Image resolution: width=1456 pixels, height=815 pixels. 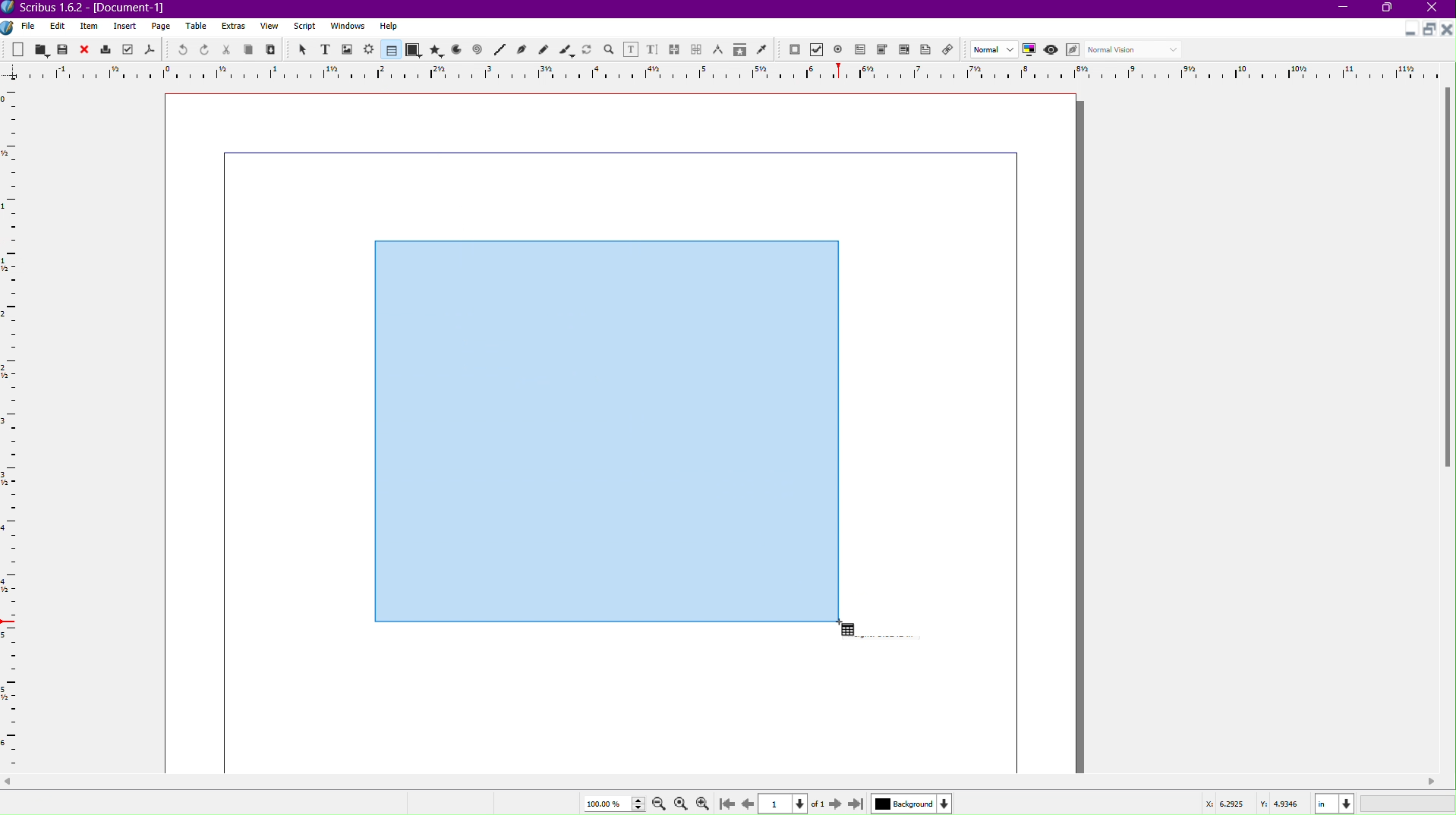 What do you see at coordinates (1032, 52) in the screenshot?
I see `Toggle Color Management System` at bounding box center [1032, 52].